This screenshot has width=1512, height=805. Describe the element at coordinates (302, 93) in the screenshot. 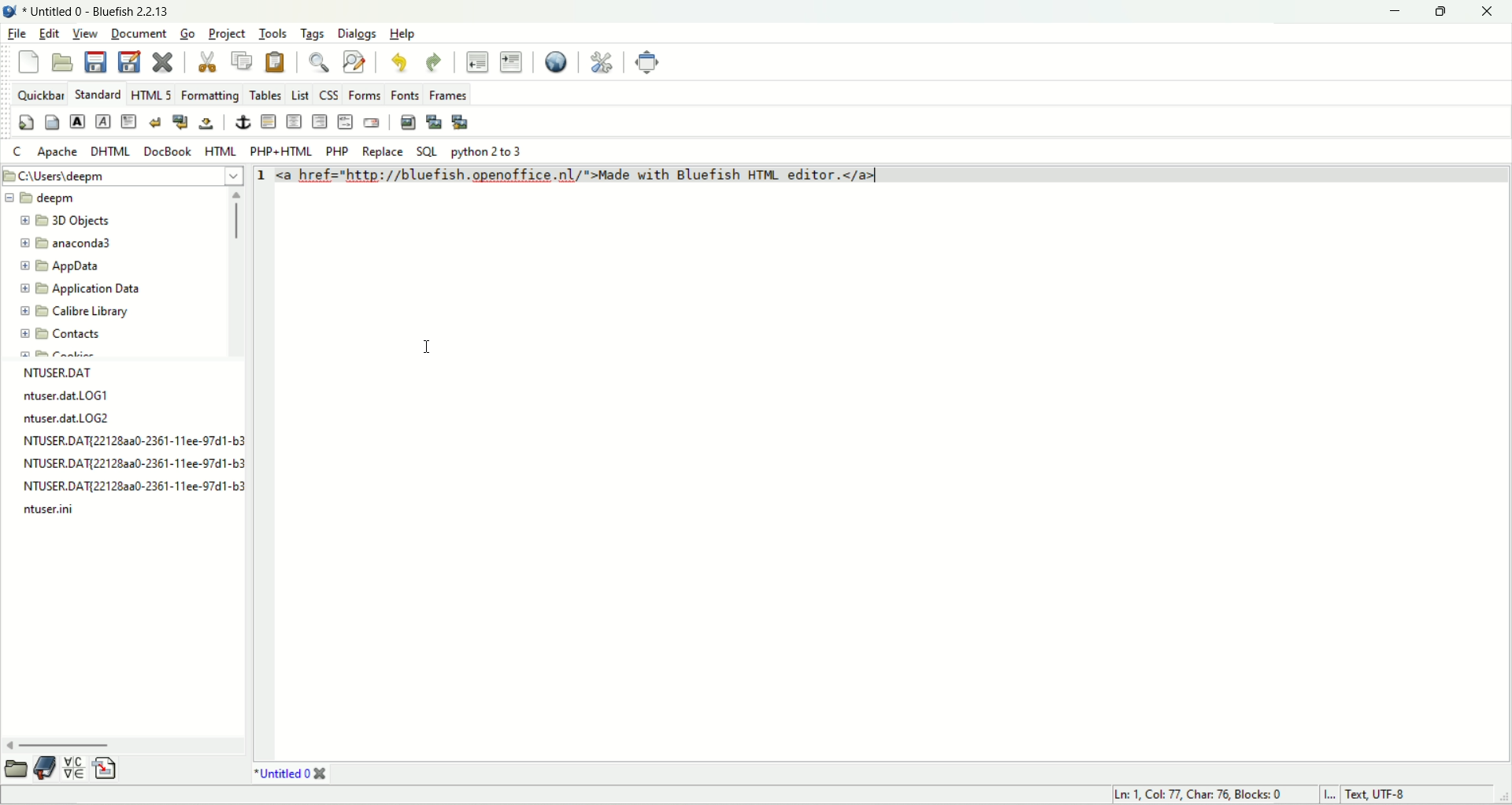

I see `list` at that location.